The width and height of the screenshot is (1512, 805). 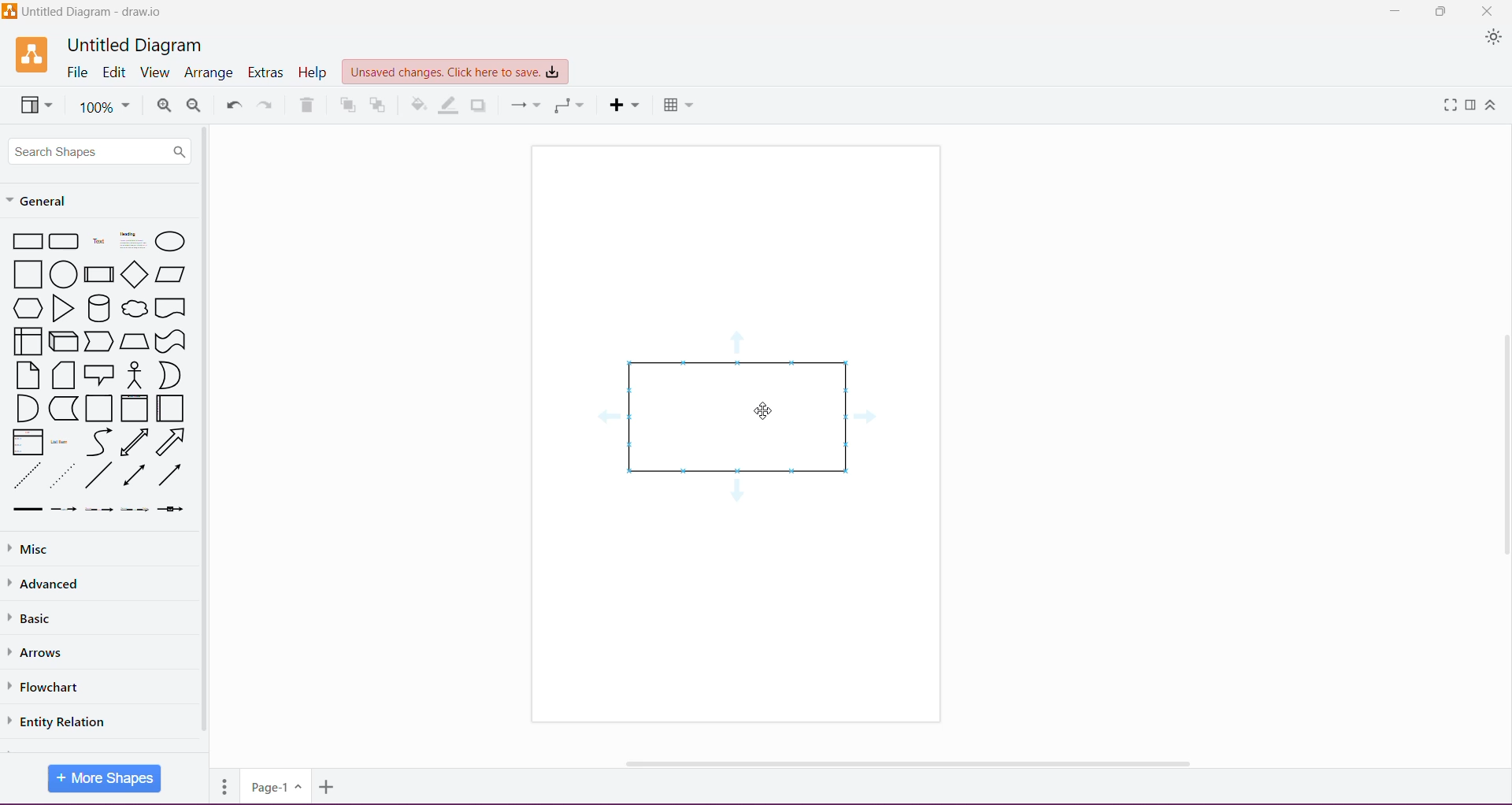 What do you see at coordinates (35, 550) in the screenshot?
I see `Misc` at bounding box center [35, 550].